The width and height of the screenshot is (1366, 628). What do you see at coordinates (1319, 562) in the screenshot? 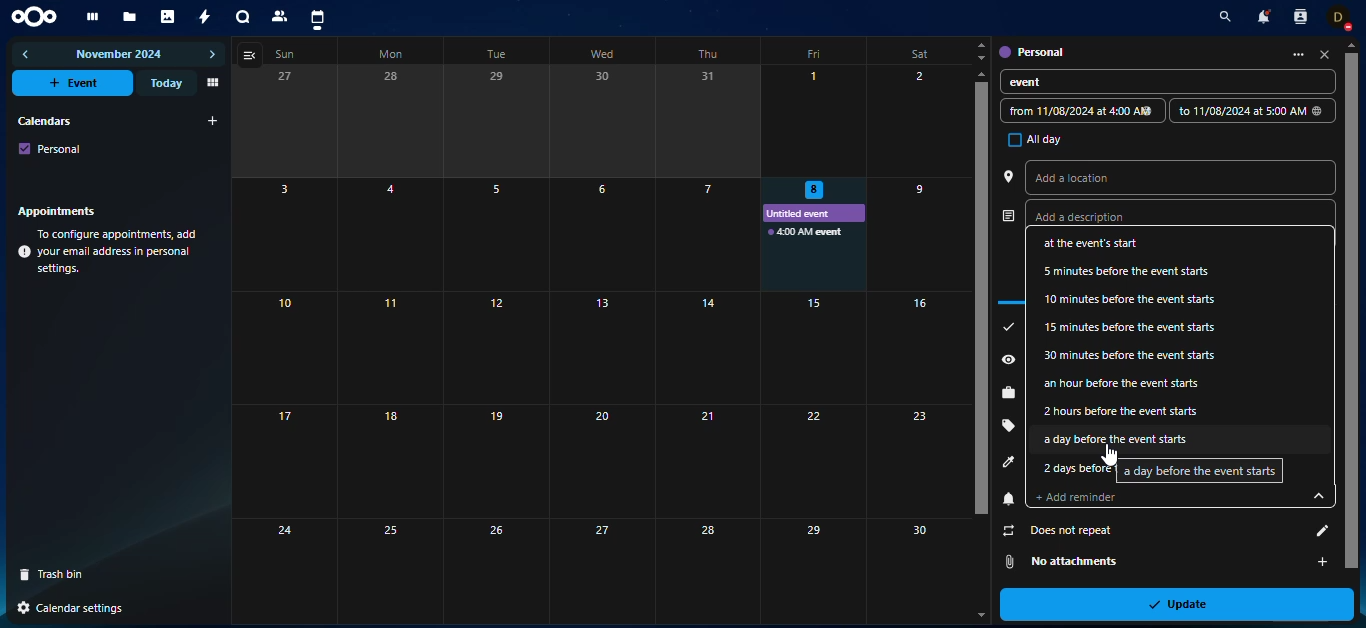
I see `Add` at bounding box center [1319, 562].